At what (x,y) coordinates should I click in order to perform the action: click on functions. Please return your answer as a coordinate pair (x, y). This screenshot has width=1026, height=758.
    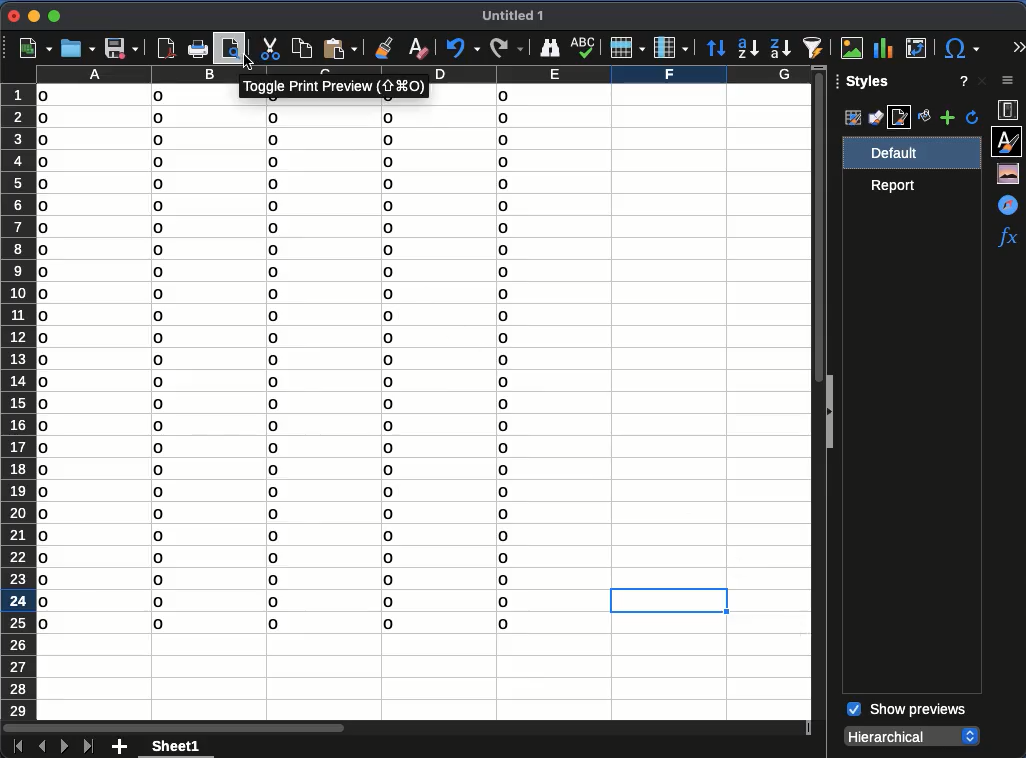
    Looking at the image, I should click on (1007, 239).